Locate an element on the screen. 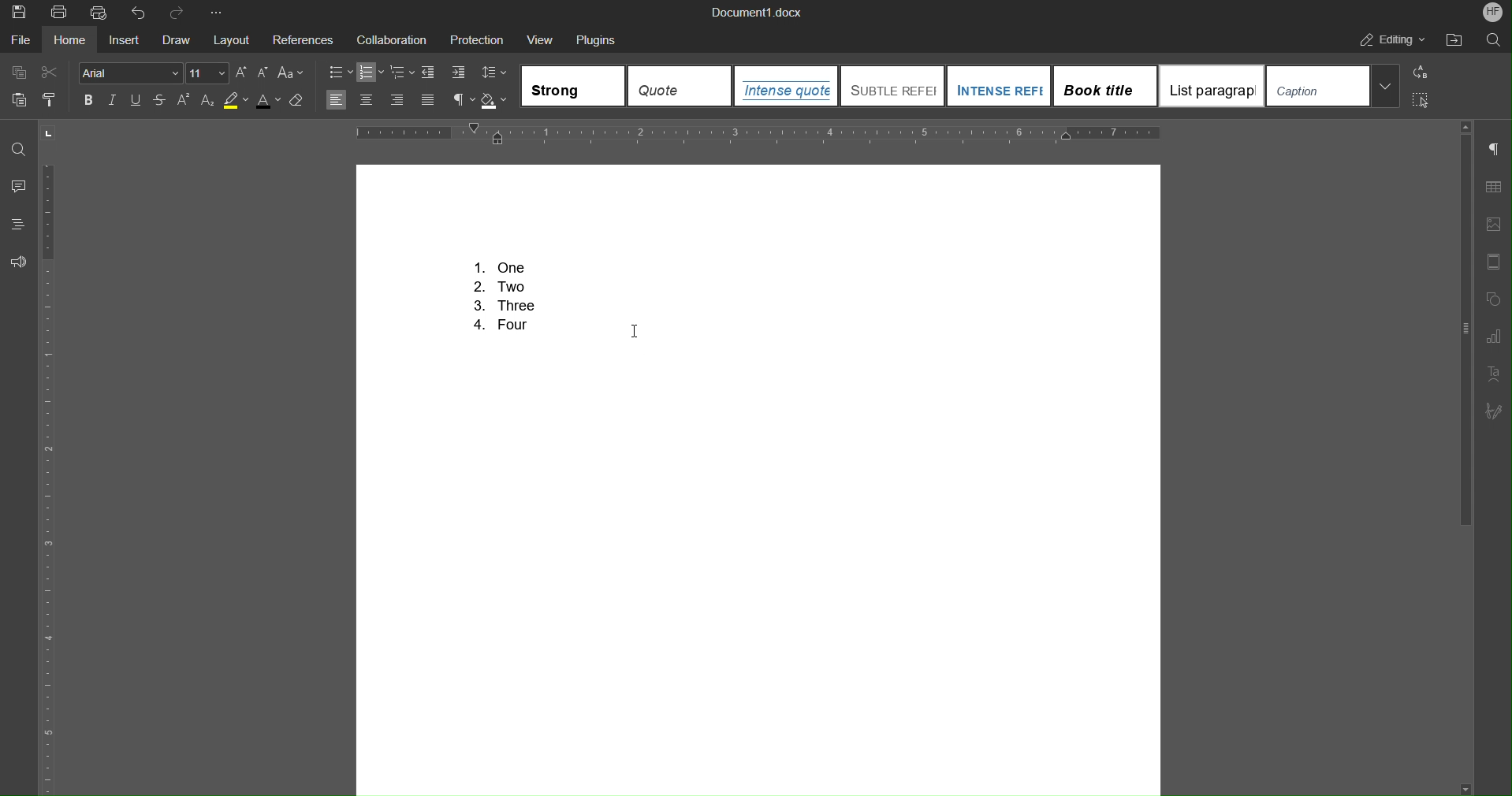  Non-Printing Characters is located at coordinates (1494, 151).